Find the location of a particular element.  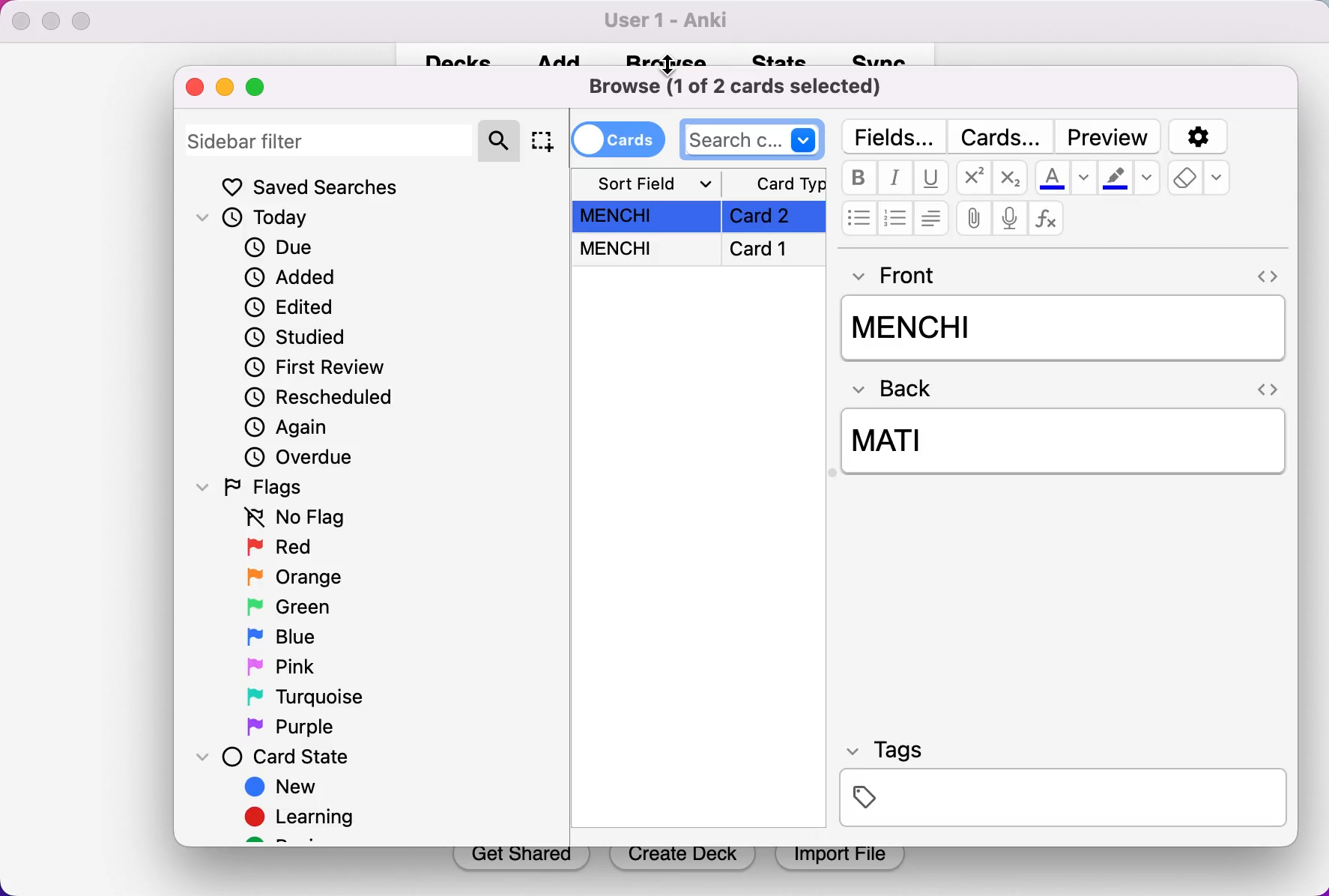

MENCHI Card 1 is located at coordinates (700, 252).